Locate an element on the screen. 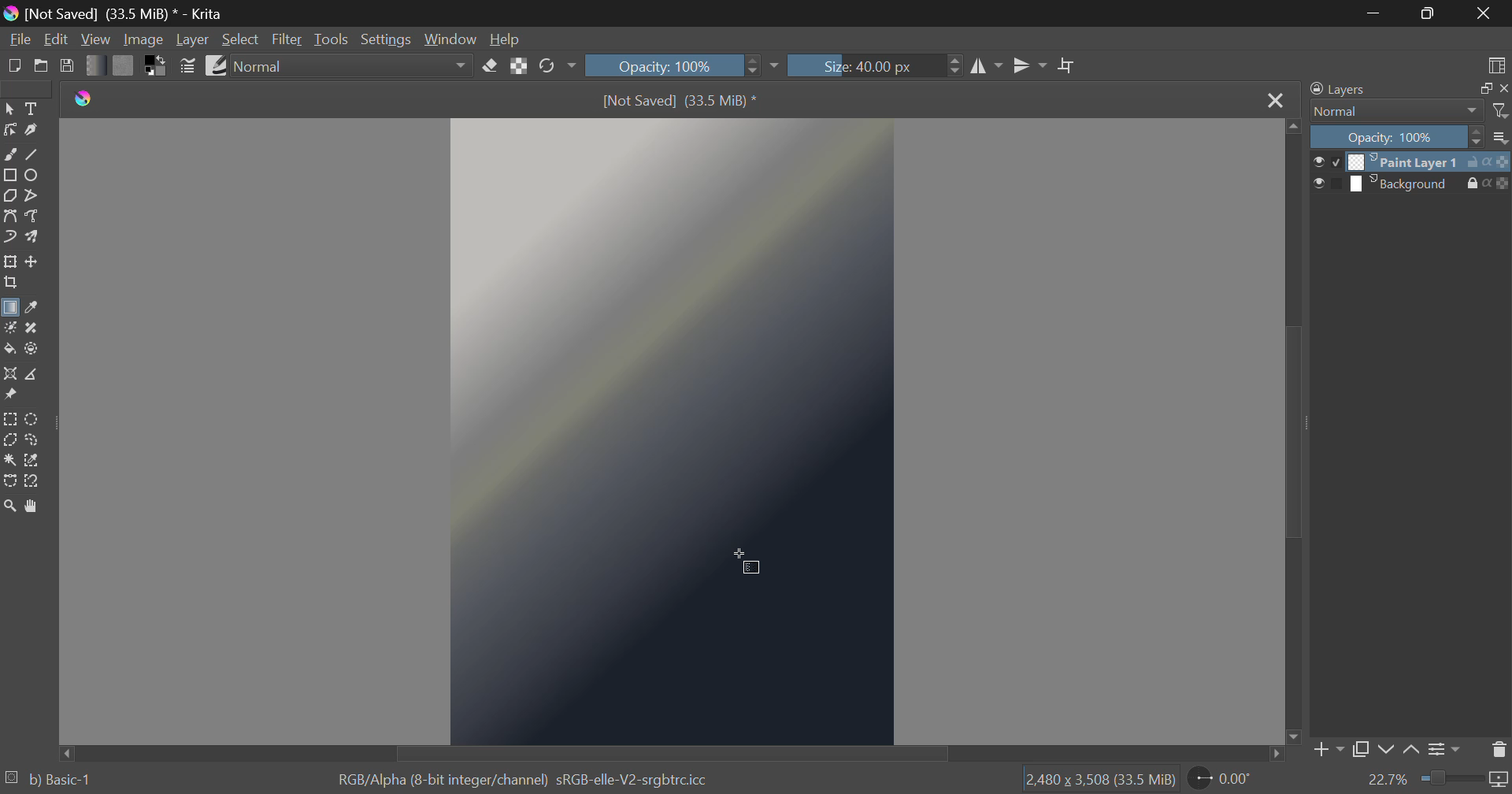  Assistant Tool is located at coordinates (10, 375).